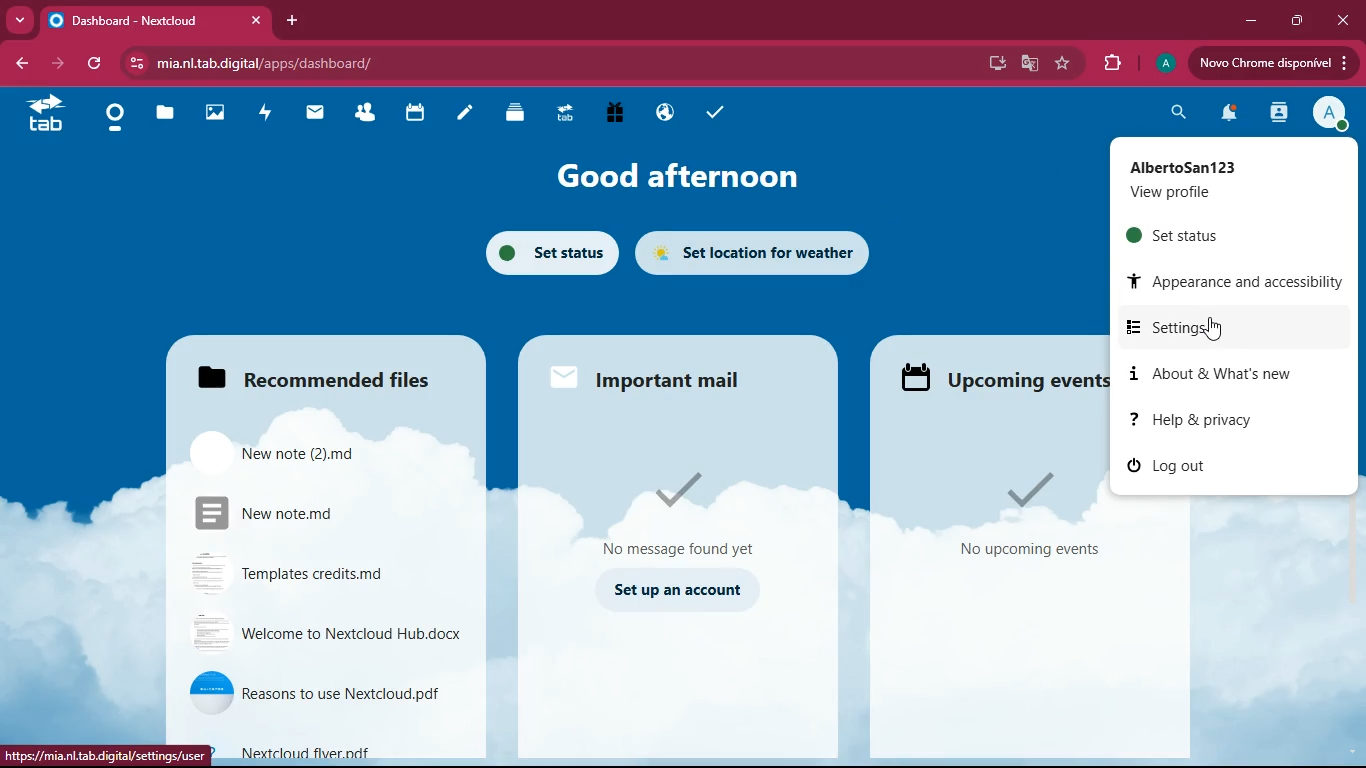  Describe the element at coordinates (328, 633) in the screenshot. I see `file` at that location.